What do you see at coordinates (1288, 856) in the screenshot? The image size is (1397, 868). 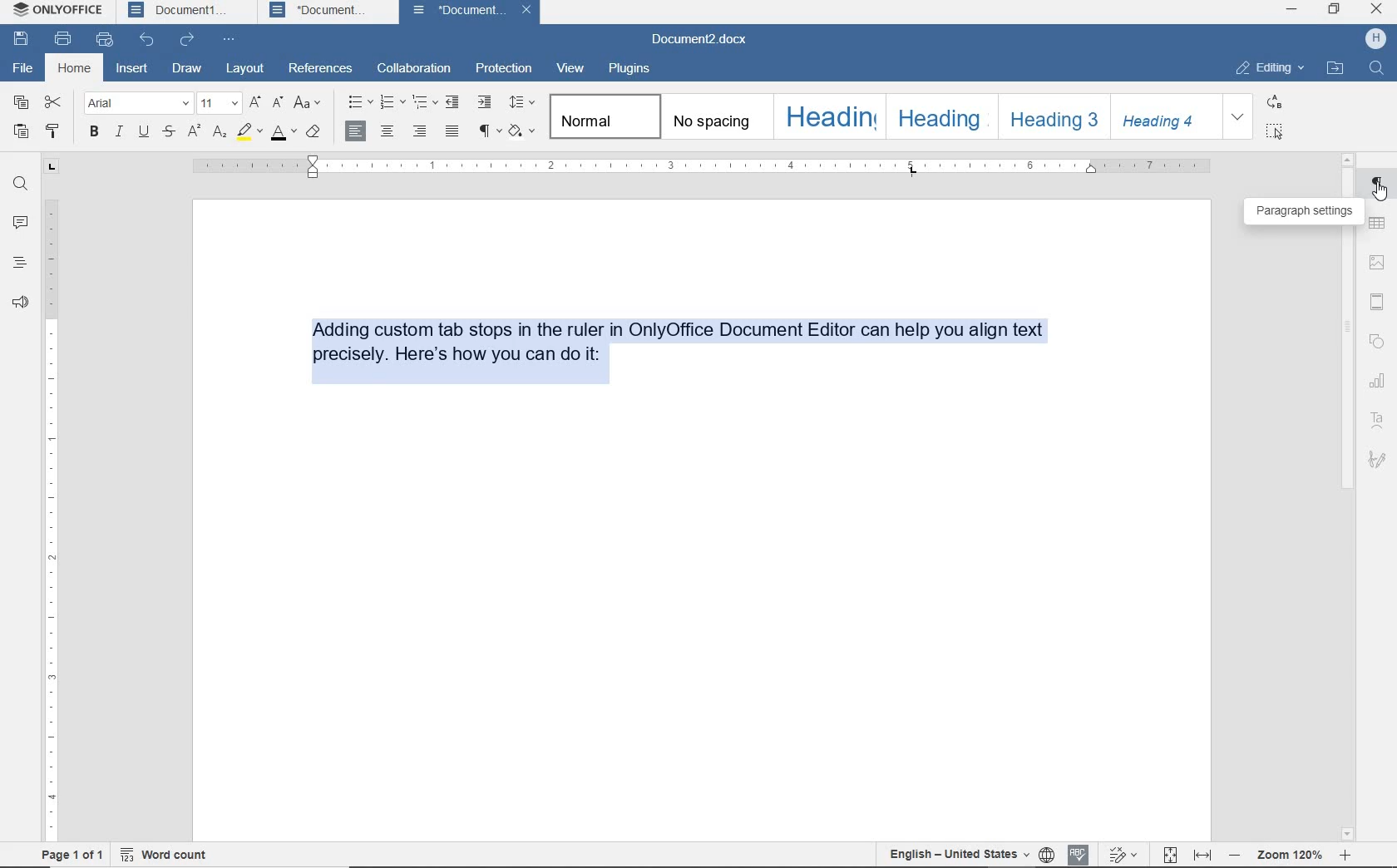 I see `zoom 120%` at bounding box center [1288, 856].